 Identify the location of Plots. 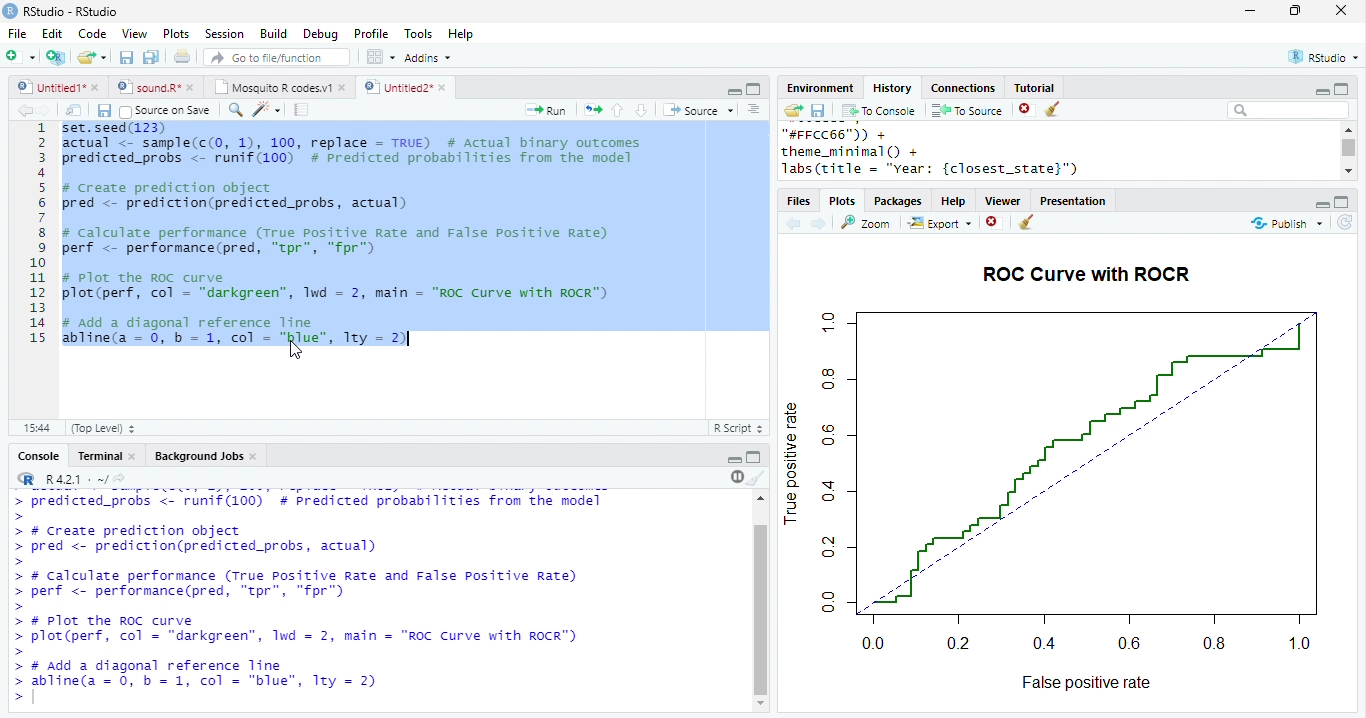
(177, 33).